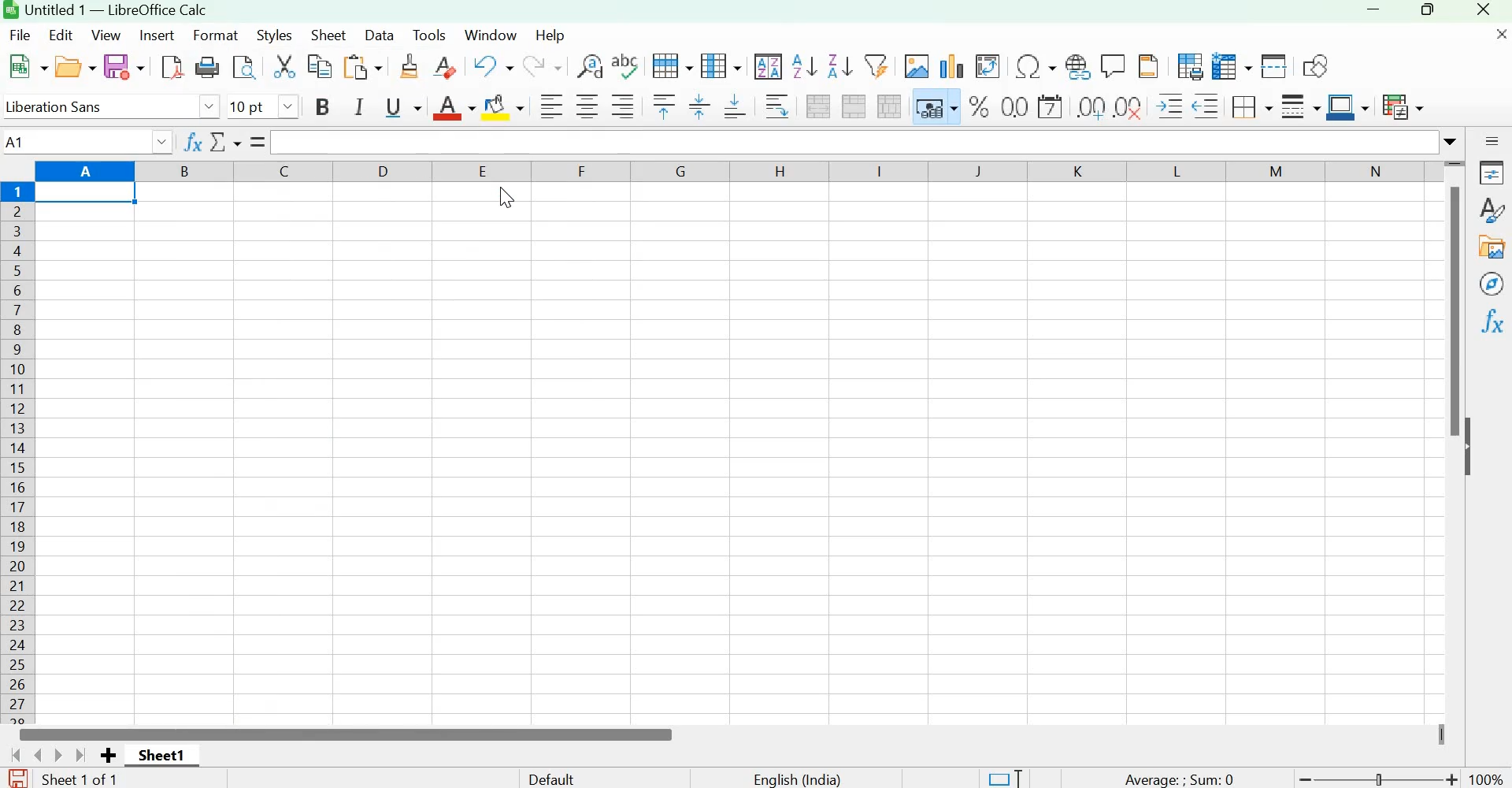 The image size is (1512, 788). I want to click on Conditional , so click(1403, 106).